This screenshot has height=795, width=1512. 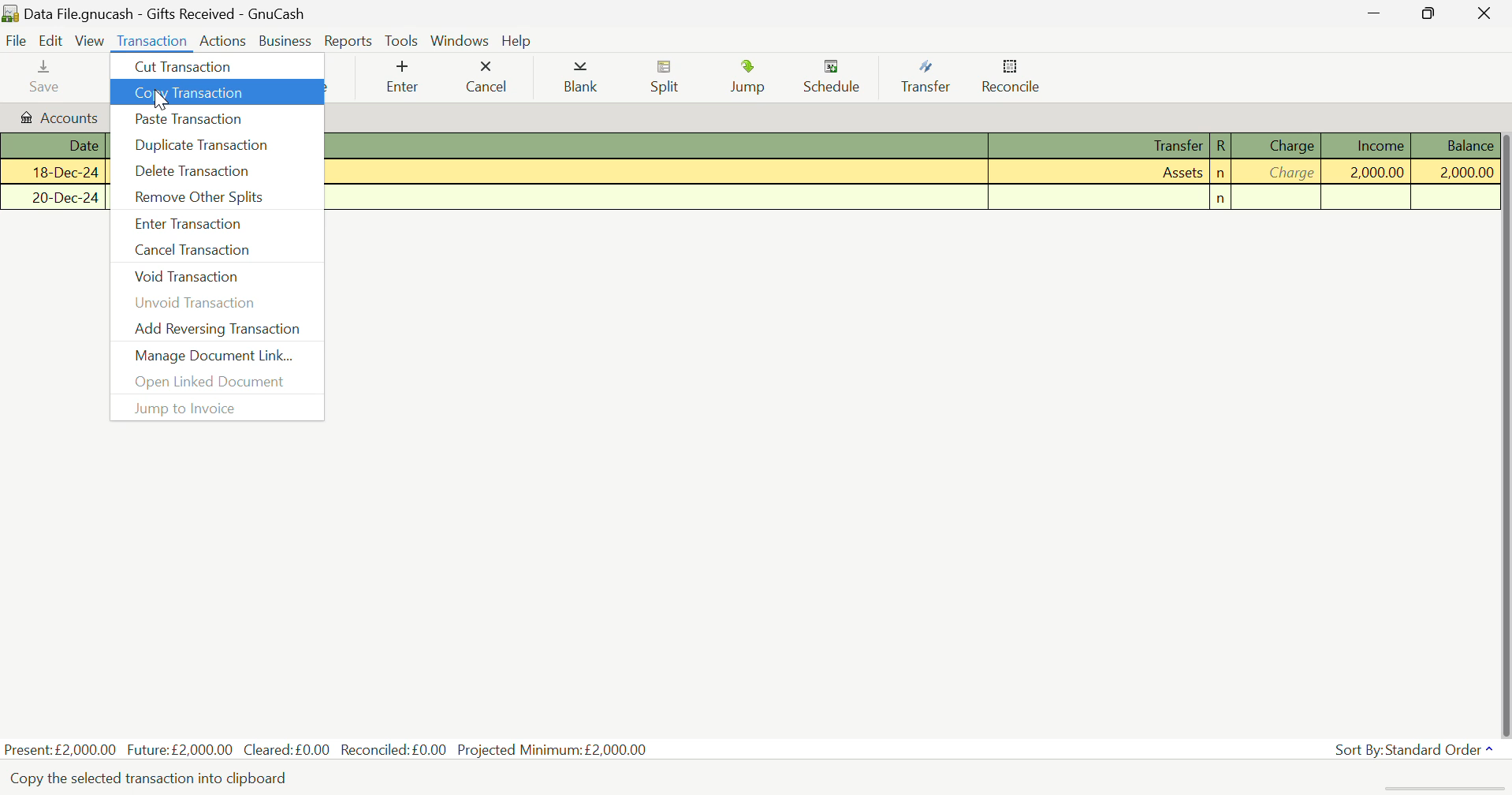 I want to click on Balance, so click(x=1454, y=145).